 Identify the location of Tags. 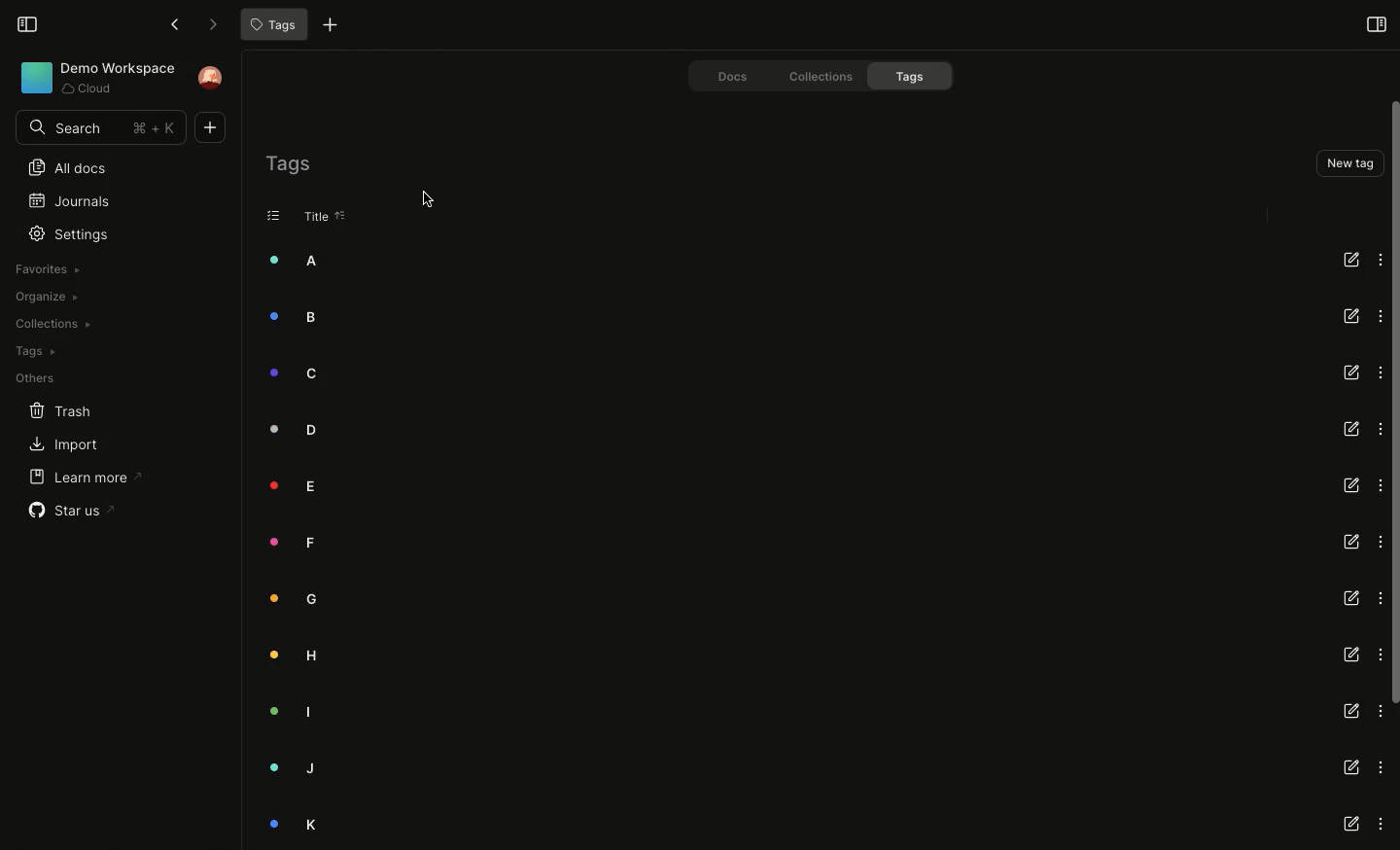
(271, 25).